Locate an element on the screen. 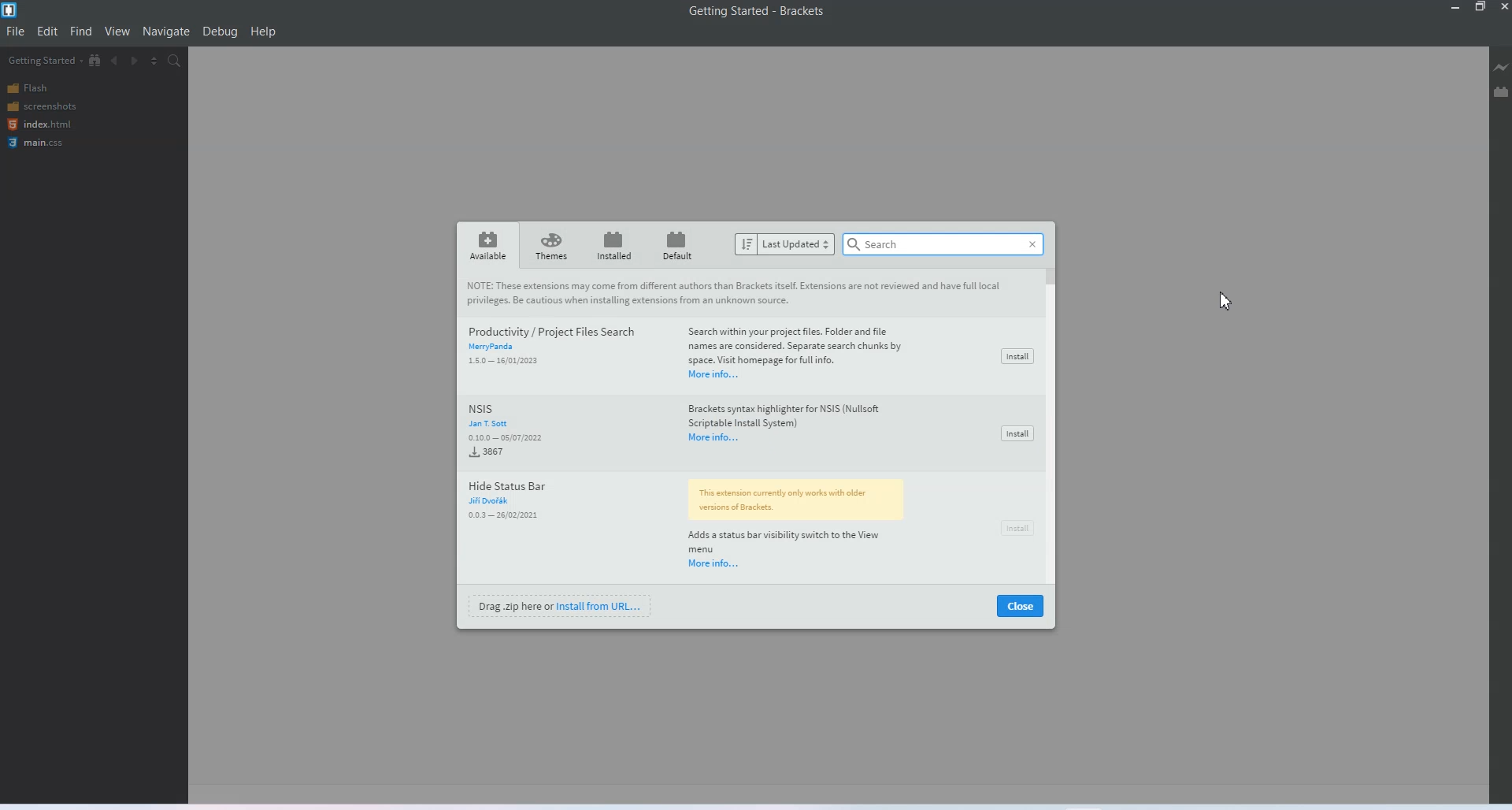 The width and height of the screenshot is (1512, 810). Navigate backward is located at coordinates (116, 60).